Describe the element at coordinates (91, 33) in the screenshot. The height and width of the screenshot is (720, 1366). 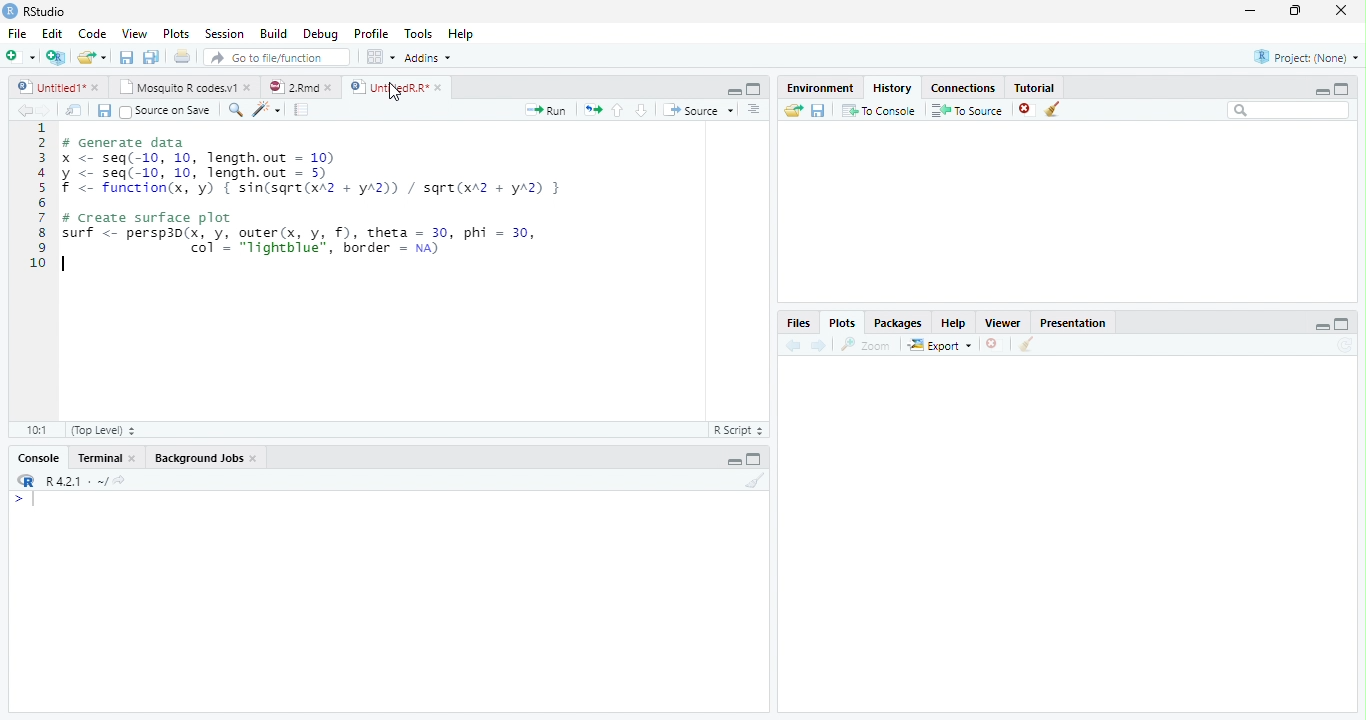
I see `Code` at that location.